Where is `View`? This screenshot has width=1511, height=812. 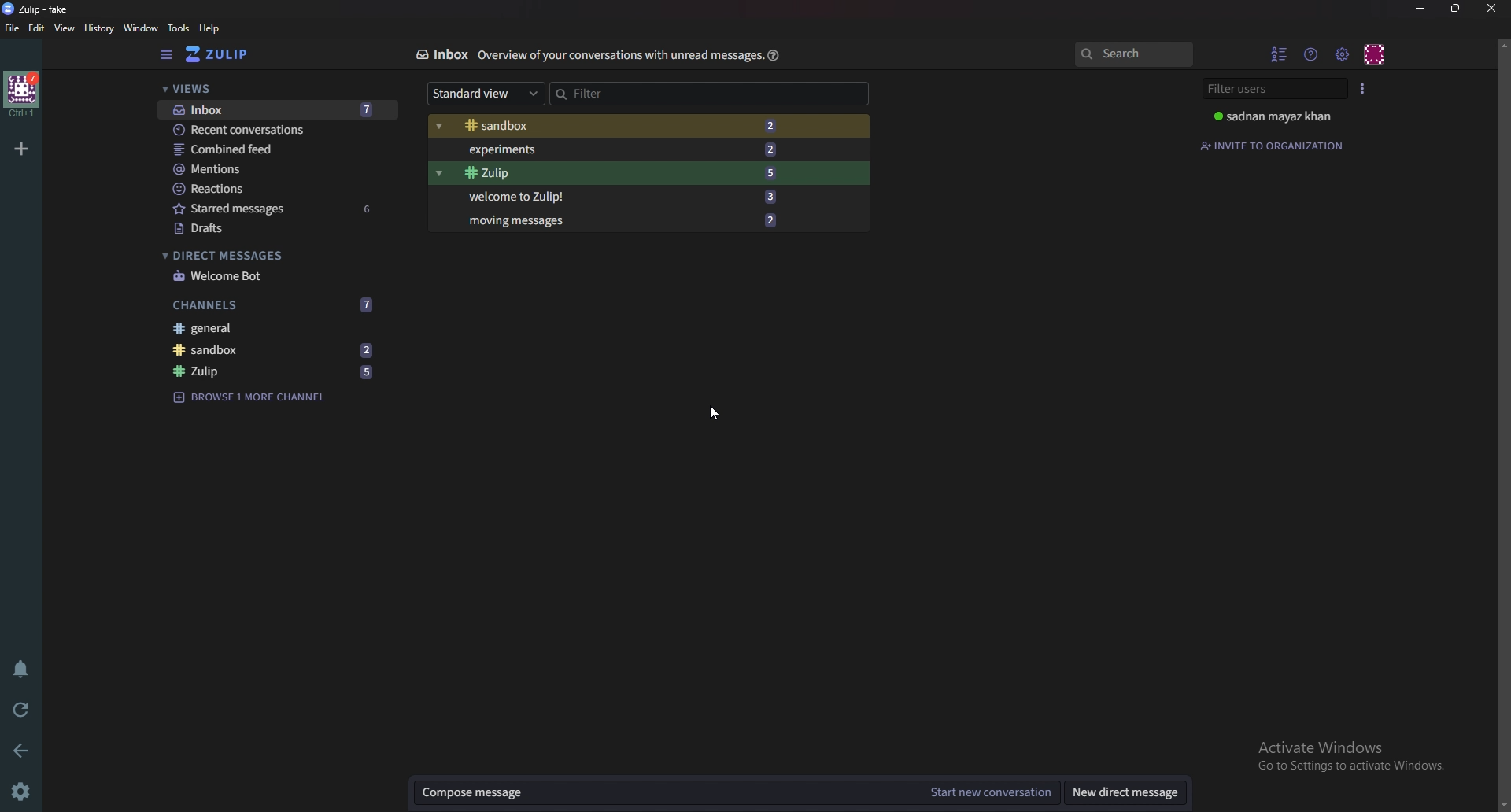
View is located at coordinates (65, 29).